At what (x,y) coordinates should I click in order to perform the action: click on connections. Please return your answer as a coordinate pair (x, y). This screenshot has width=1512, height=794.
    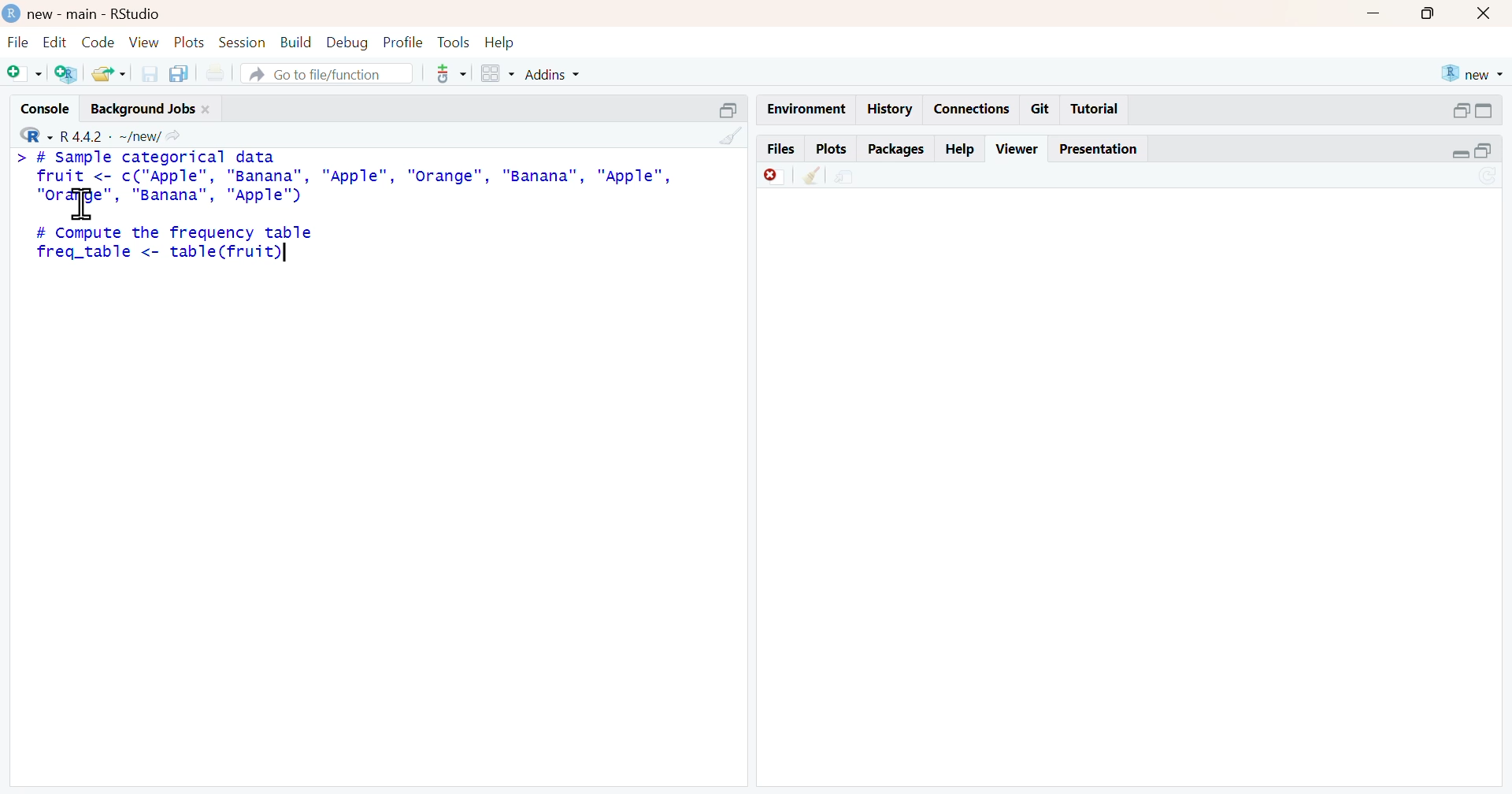
    Looking at the image, I should click on (972, 109).